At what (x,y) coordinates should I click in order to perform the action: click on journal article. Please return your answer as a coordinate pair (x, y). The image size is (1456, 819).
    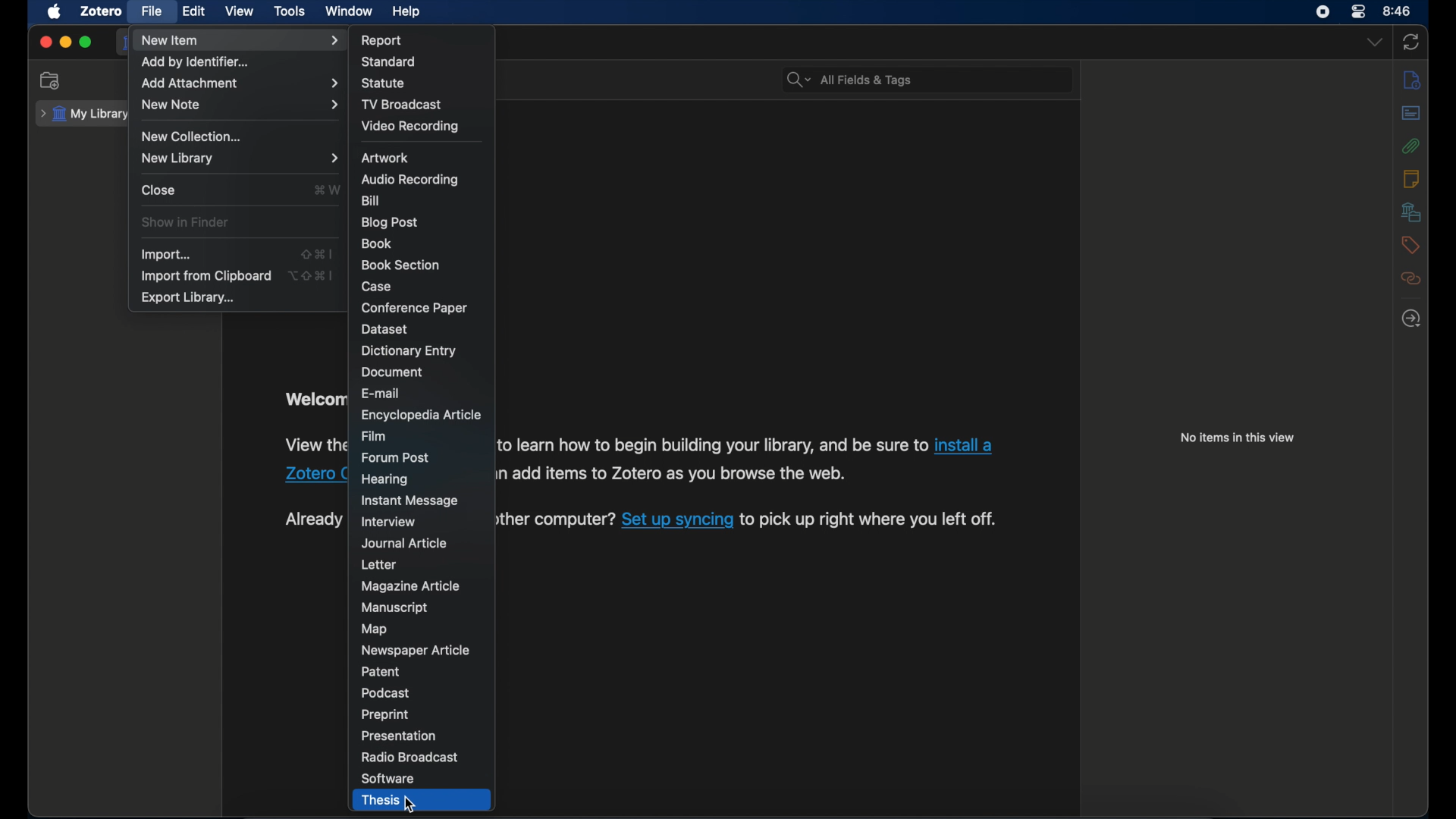
    Looking at the image, I should click on (406, 544).